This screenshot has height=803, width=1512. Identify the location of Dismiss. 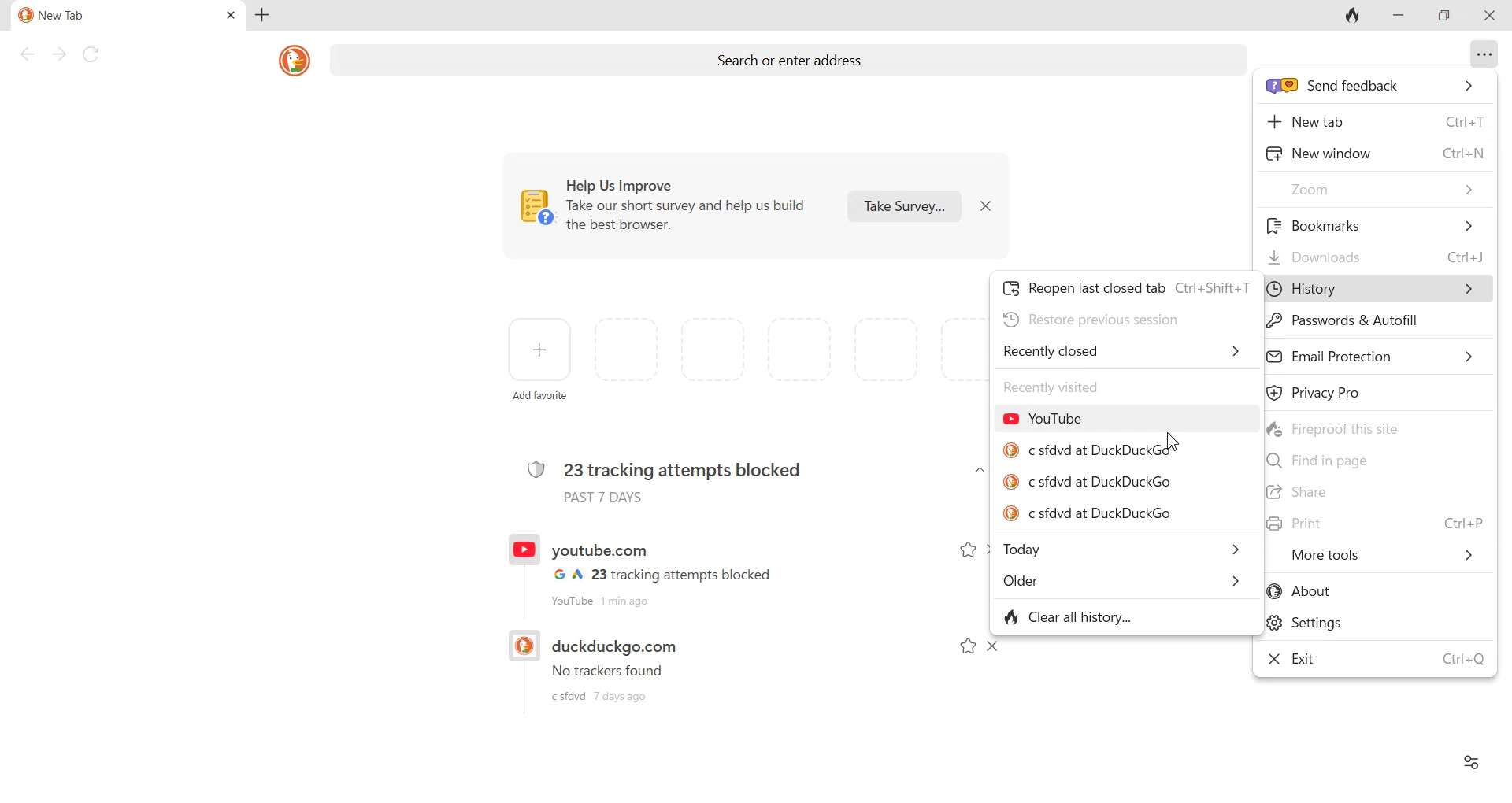
(984, 205).